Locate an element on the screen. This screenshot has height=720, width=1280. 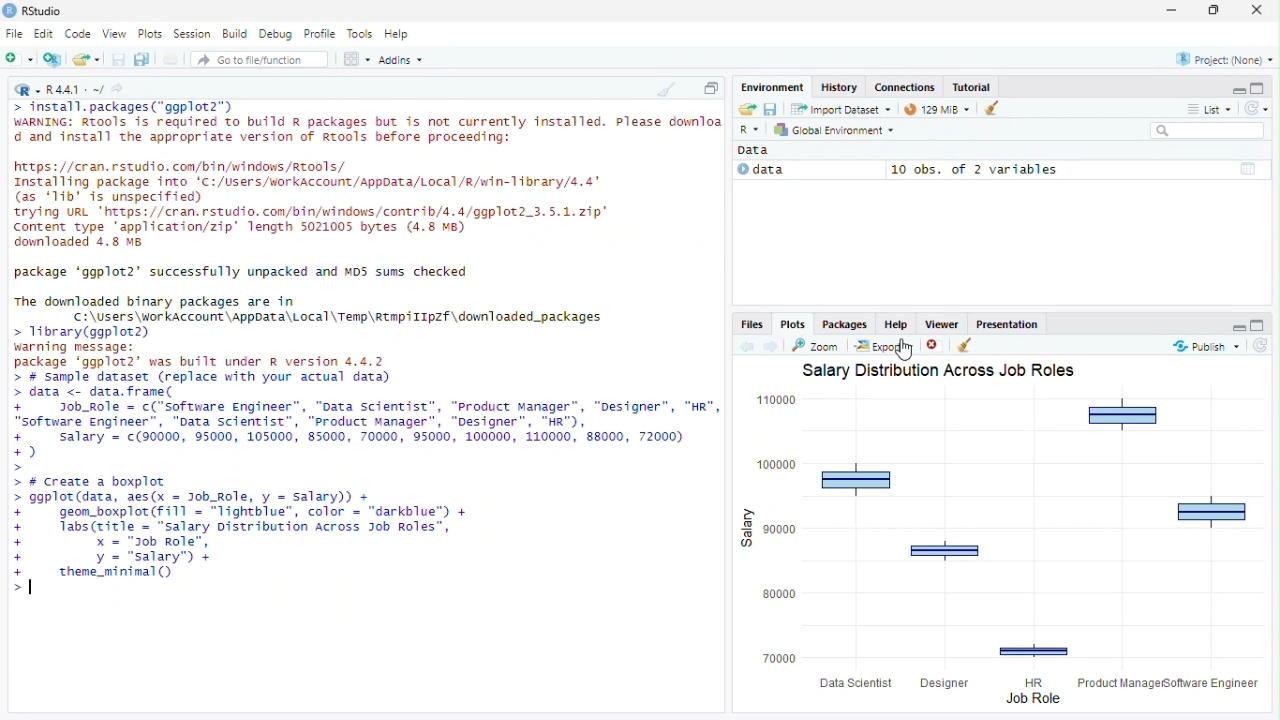
Global environment is located at coordinates (834, 129).